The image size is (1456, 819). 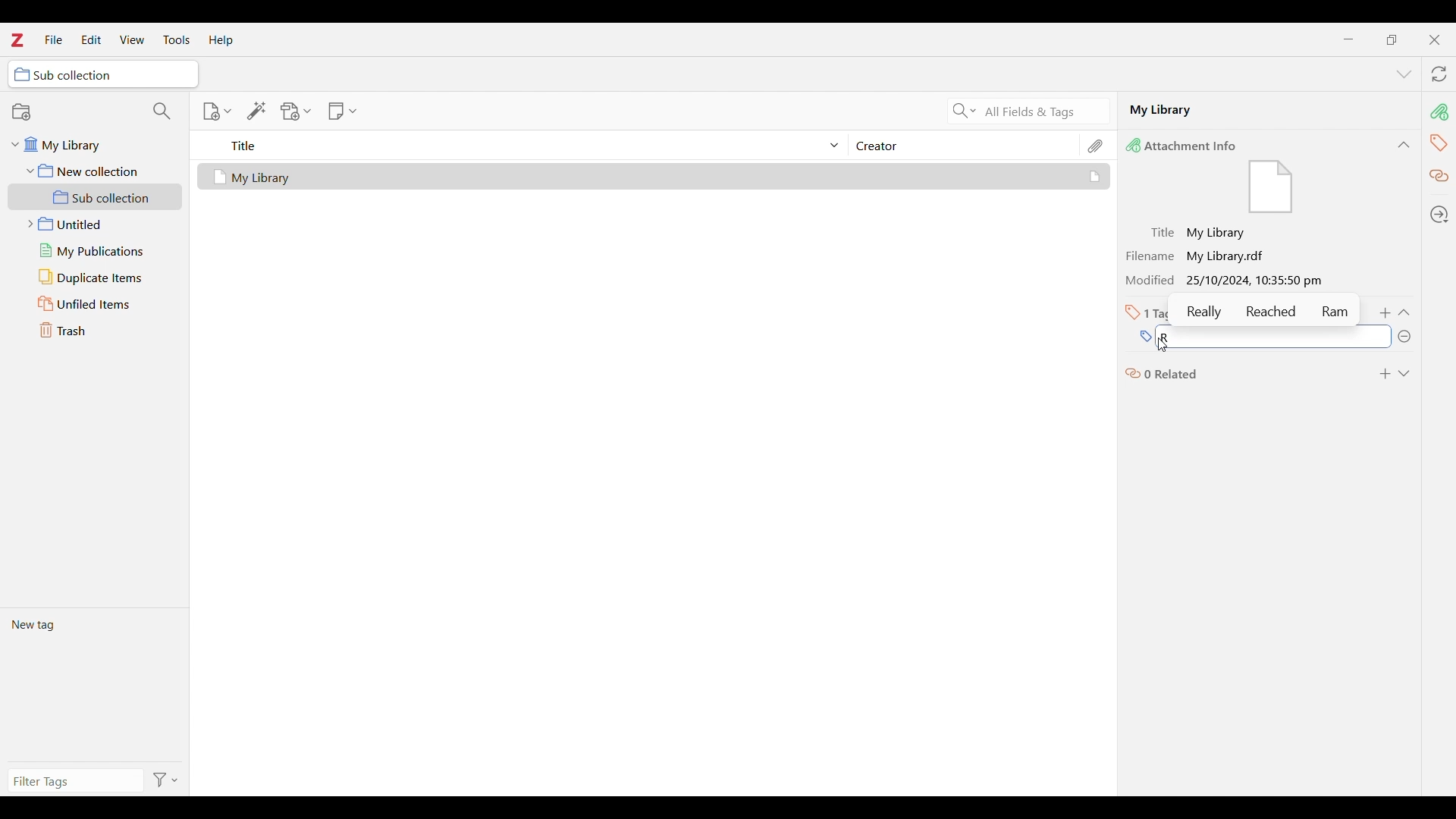 I want to click on Sort title column, so click(x=528, y=145).